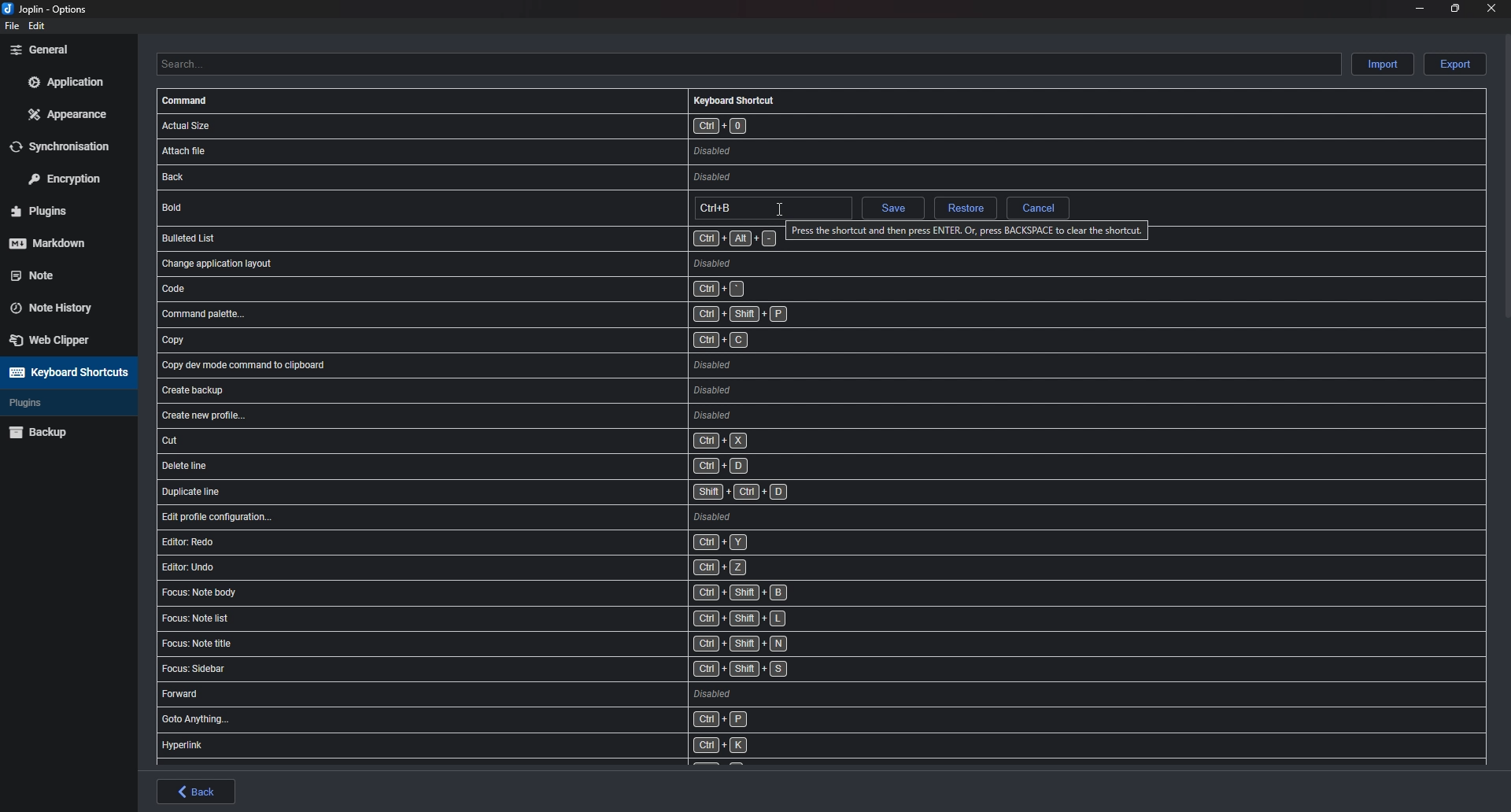  Describe the element at coordinates (515, 646) in the screenshot. I see `shortcut` at that location.